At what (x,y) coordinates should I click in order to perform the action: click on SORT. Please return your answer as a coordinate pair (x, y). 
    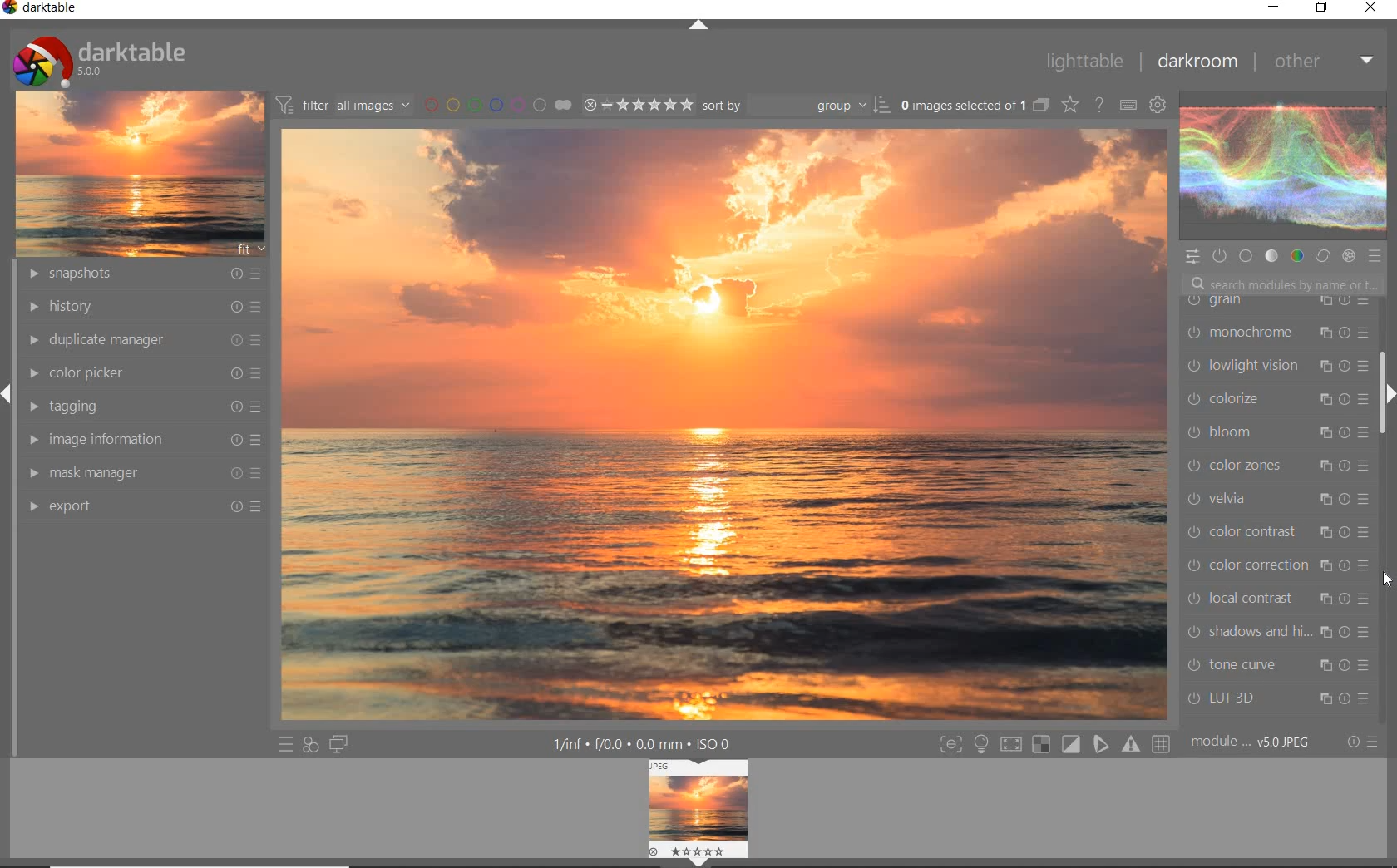
    Looking at the image, I should click on (795, 106).